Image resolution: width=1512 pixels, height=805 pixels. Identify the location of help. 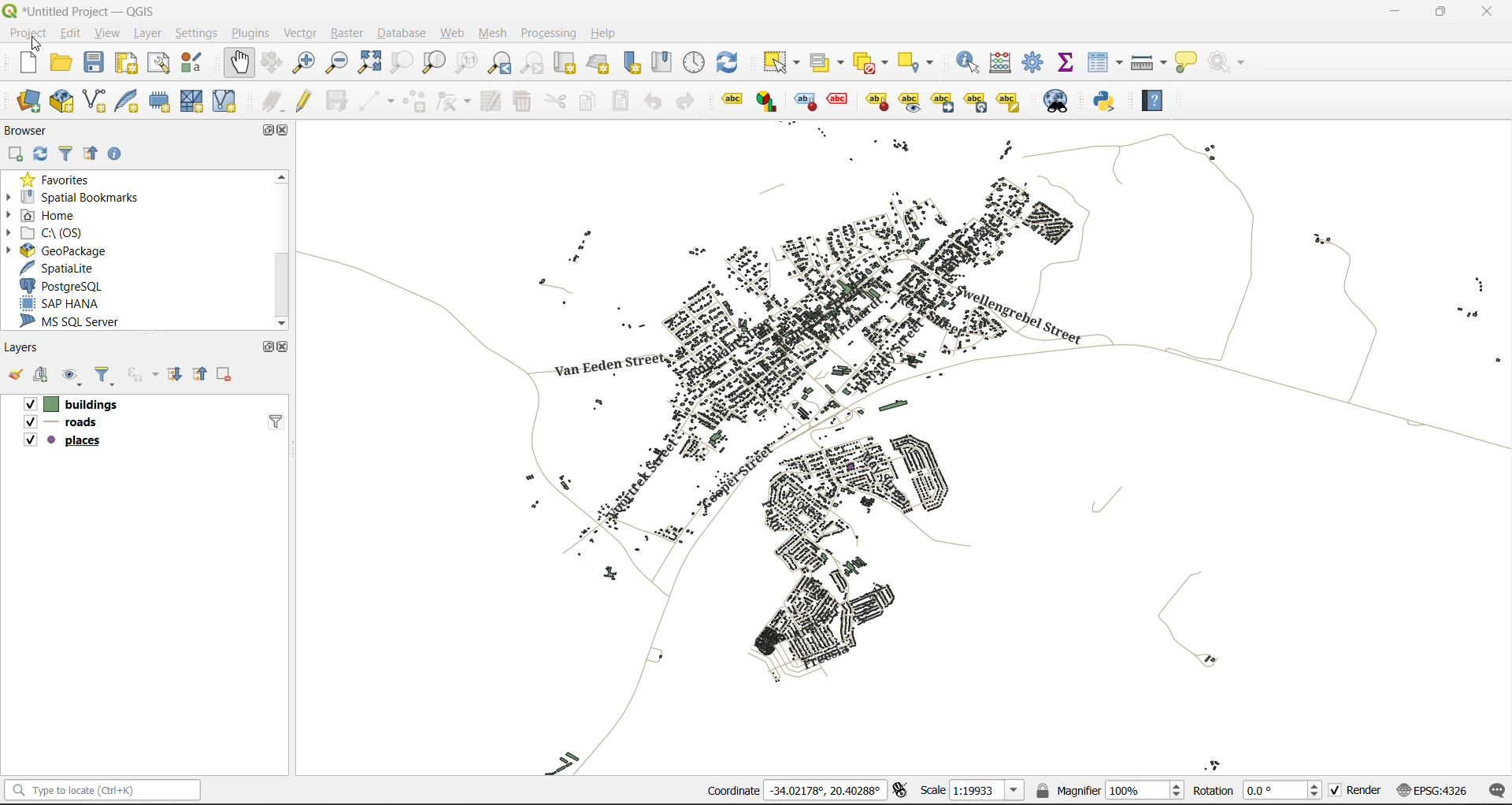
(606, 33).